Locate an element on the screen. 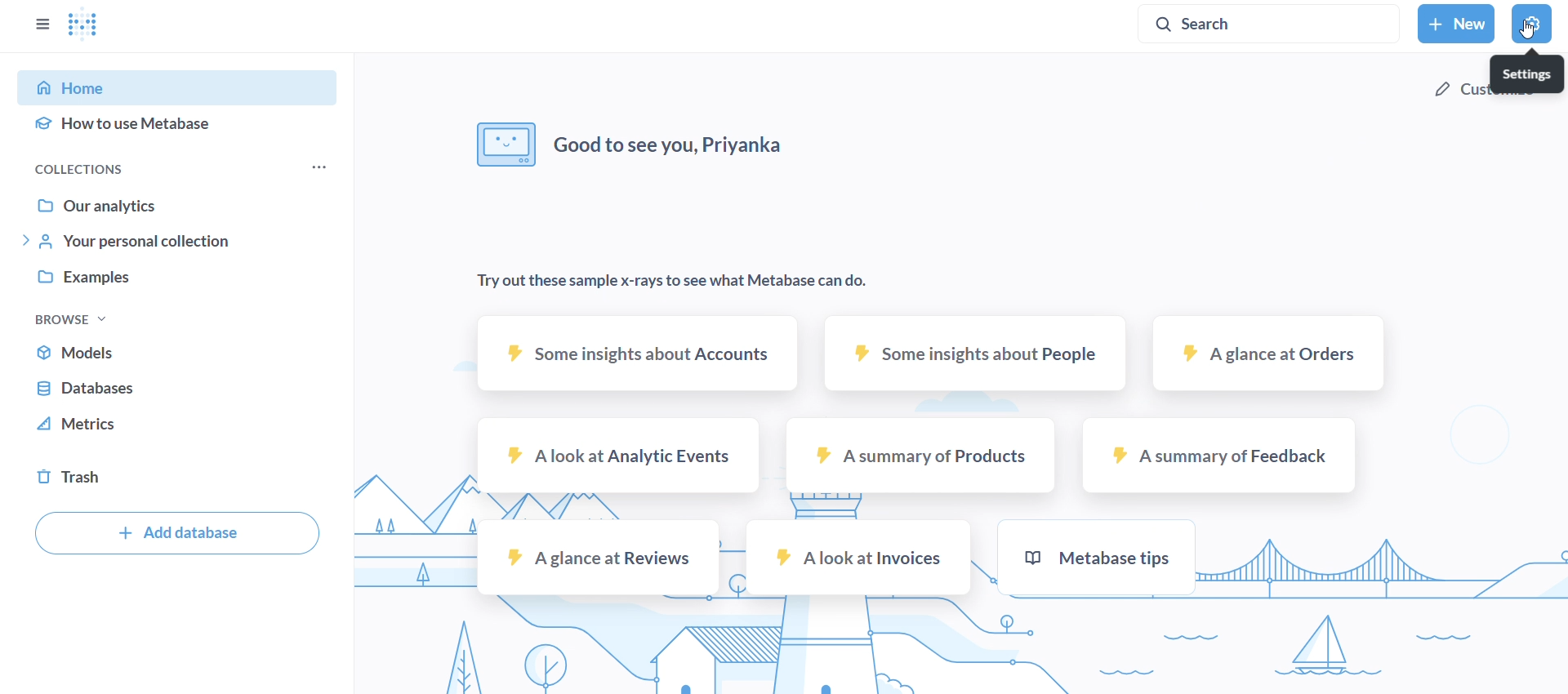 Image resolution: width=1568 pixels, height=694 pixels. cursor is located at coordinates (1526, 31).